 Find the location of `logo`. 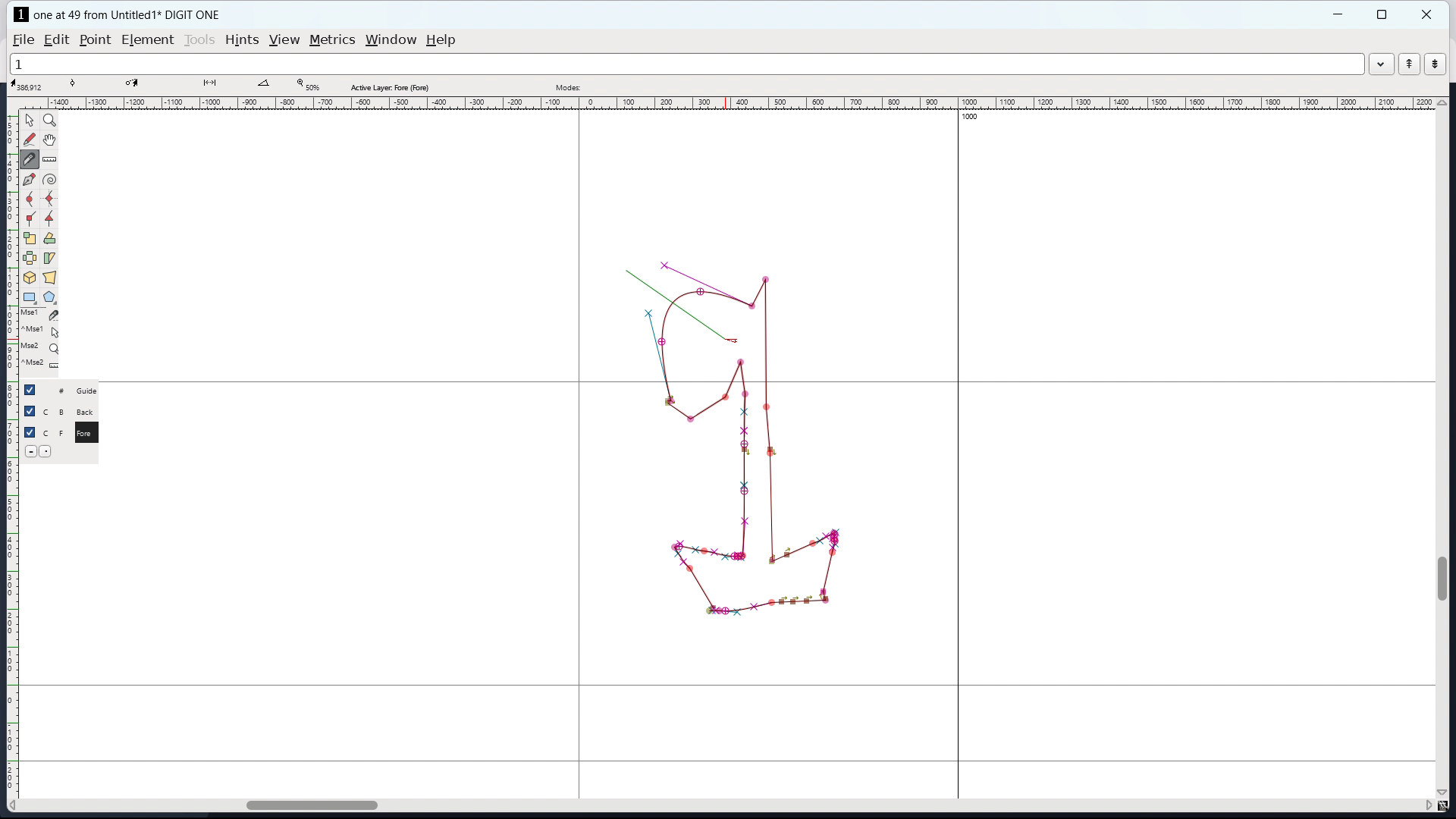

logo is located at coordinates (21, 14).